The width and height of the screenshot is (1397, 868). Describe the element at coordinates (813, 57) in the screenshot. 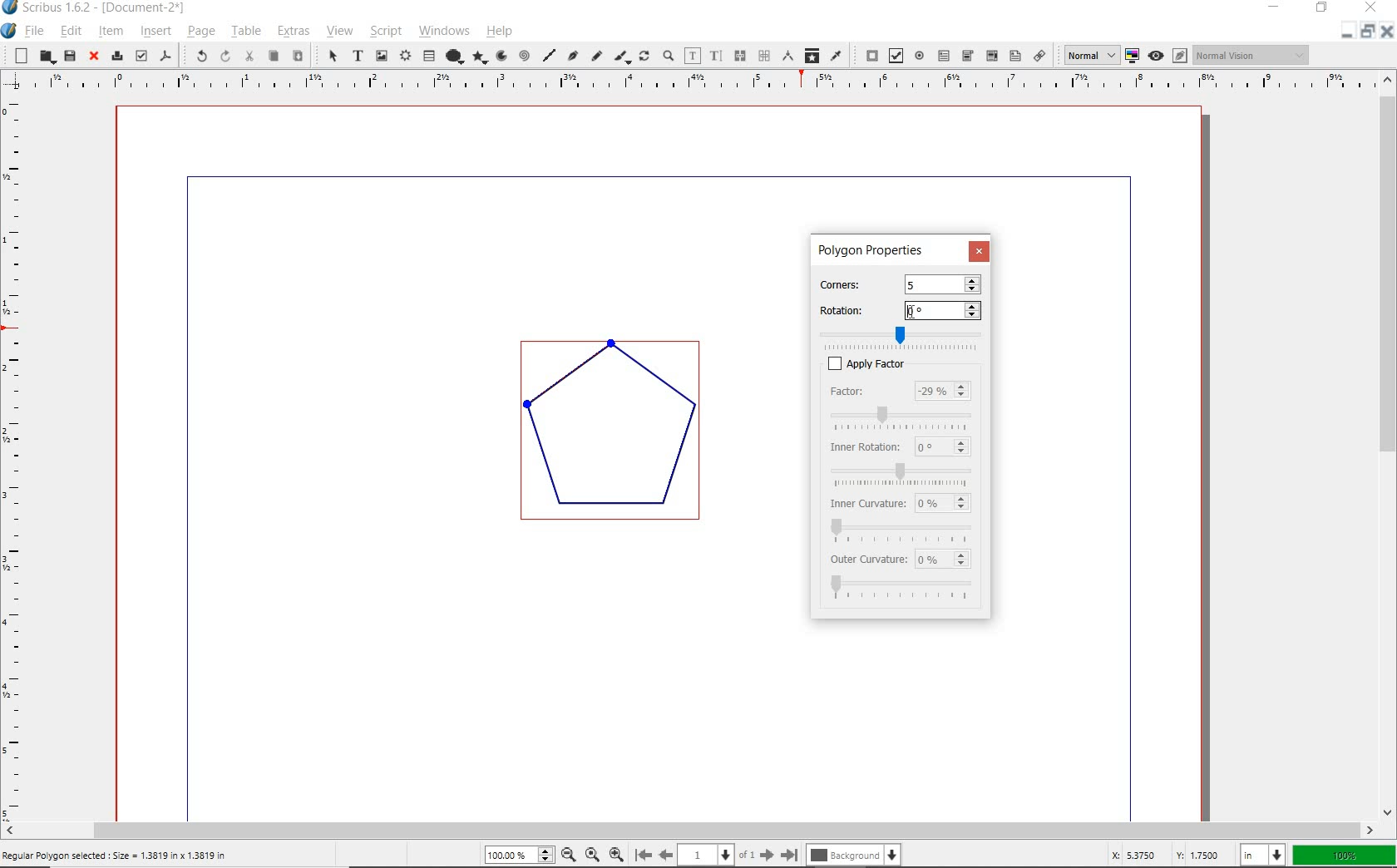

I see `copy item properties` at that location.